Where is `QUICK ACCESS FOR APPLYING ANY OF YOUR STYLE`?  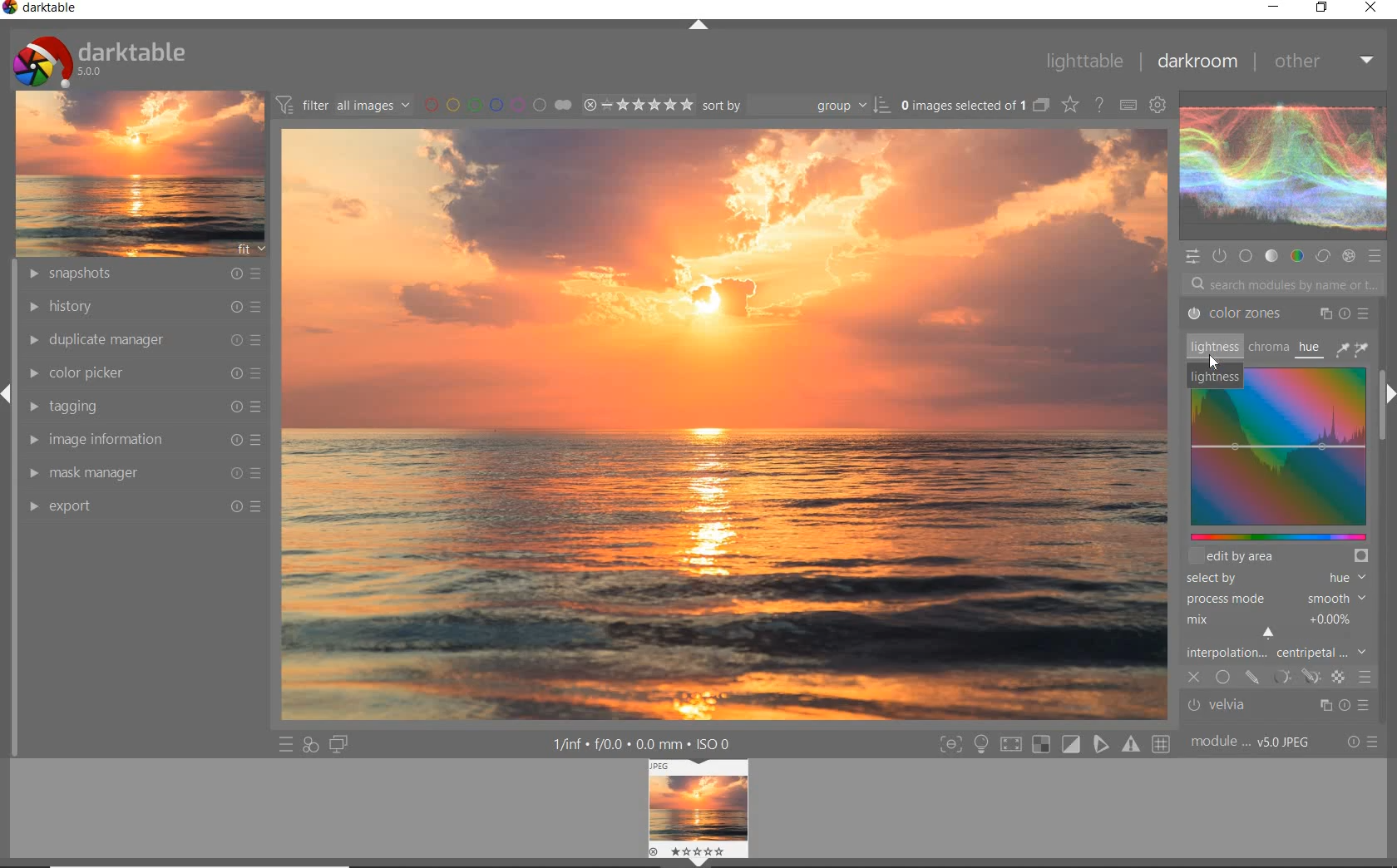
QUICK ACCESS FOR APPLYING ANY OF YOUR STYLE is located at coordinates (309, 746).